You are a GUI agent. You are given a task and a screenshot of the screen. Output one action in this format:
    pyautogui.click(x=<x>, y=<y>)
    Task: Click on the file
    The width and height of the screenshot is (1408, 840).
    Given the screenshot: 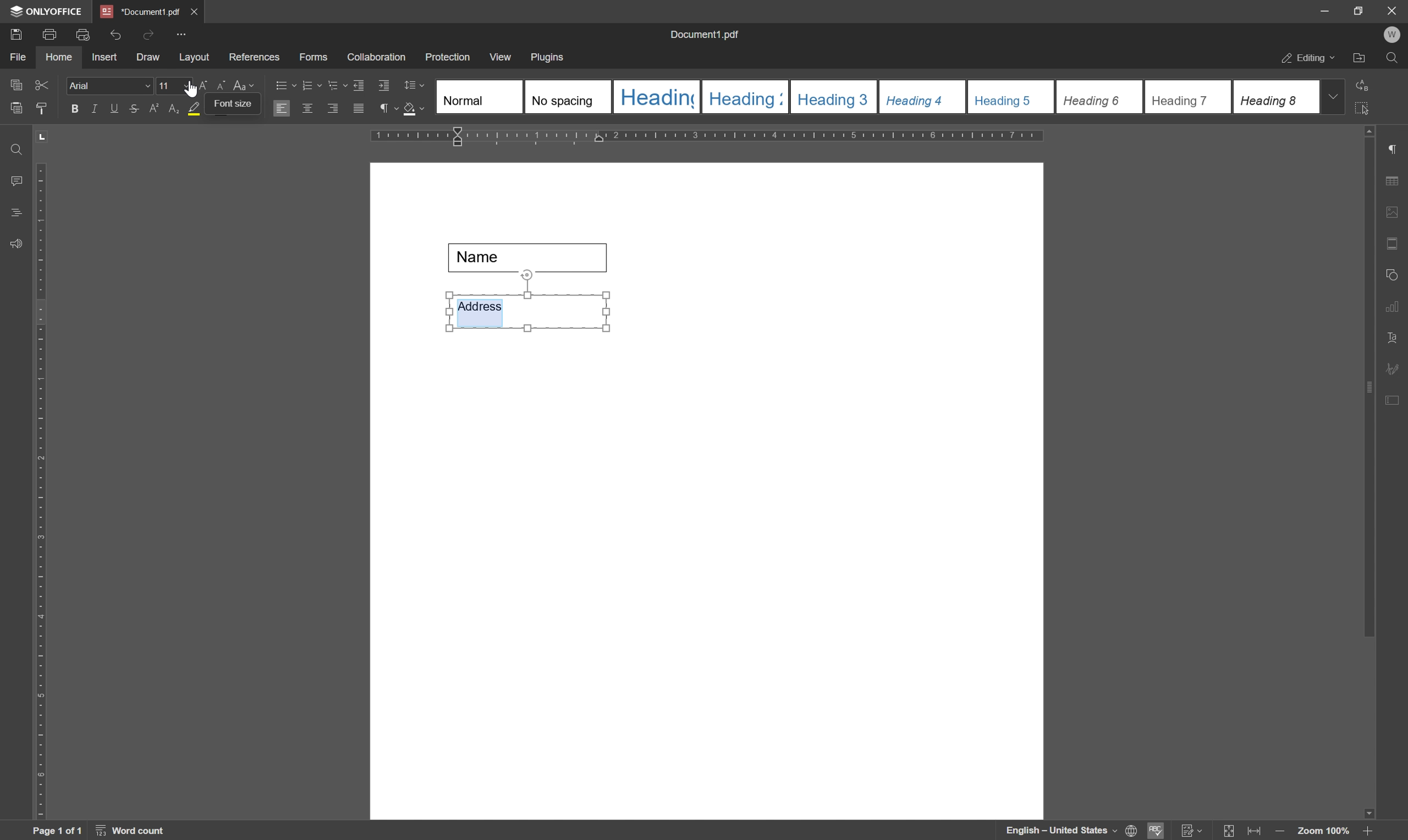 What is the action you would take?
    pyautogui.click(x=16, y=57)
    